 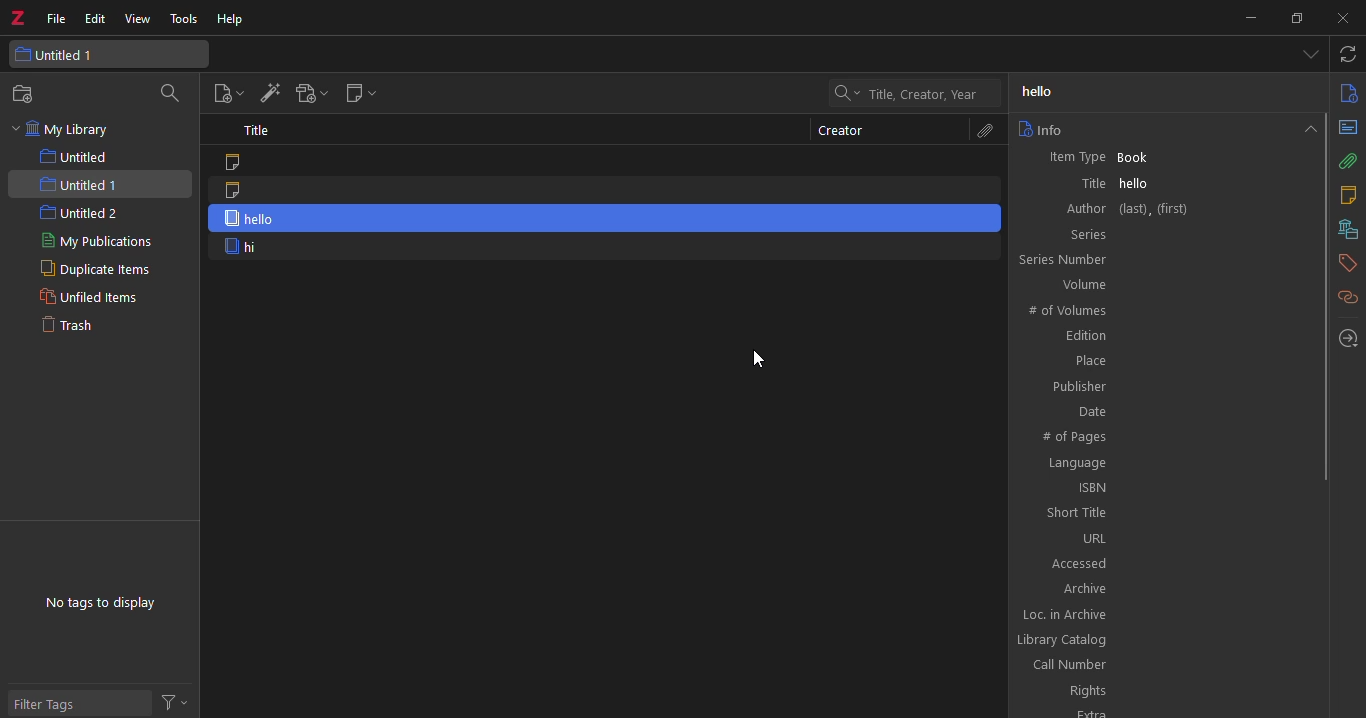 I want to click on series, so click(x=1163, y=233).